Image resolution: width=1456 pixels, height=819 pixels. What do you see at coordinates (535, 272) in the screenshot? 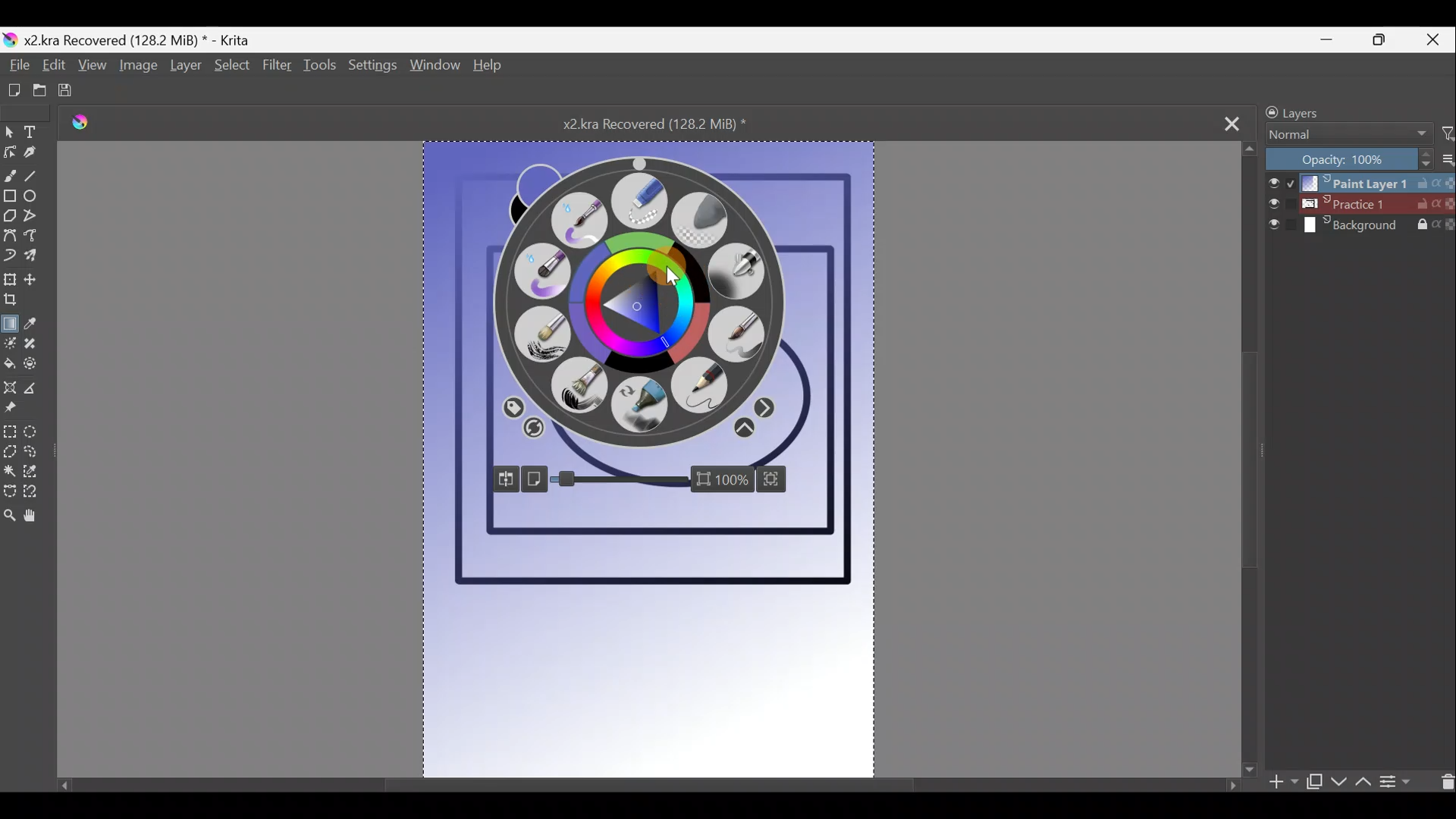
I see `Wet paint` at bounding box center [535, 272].